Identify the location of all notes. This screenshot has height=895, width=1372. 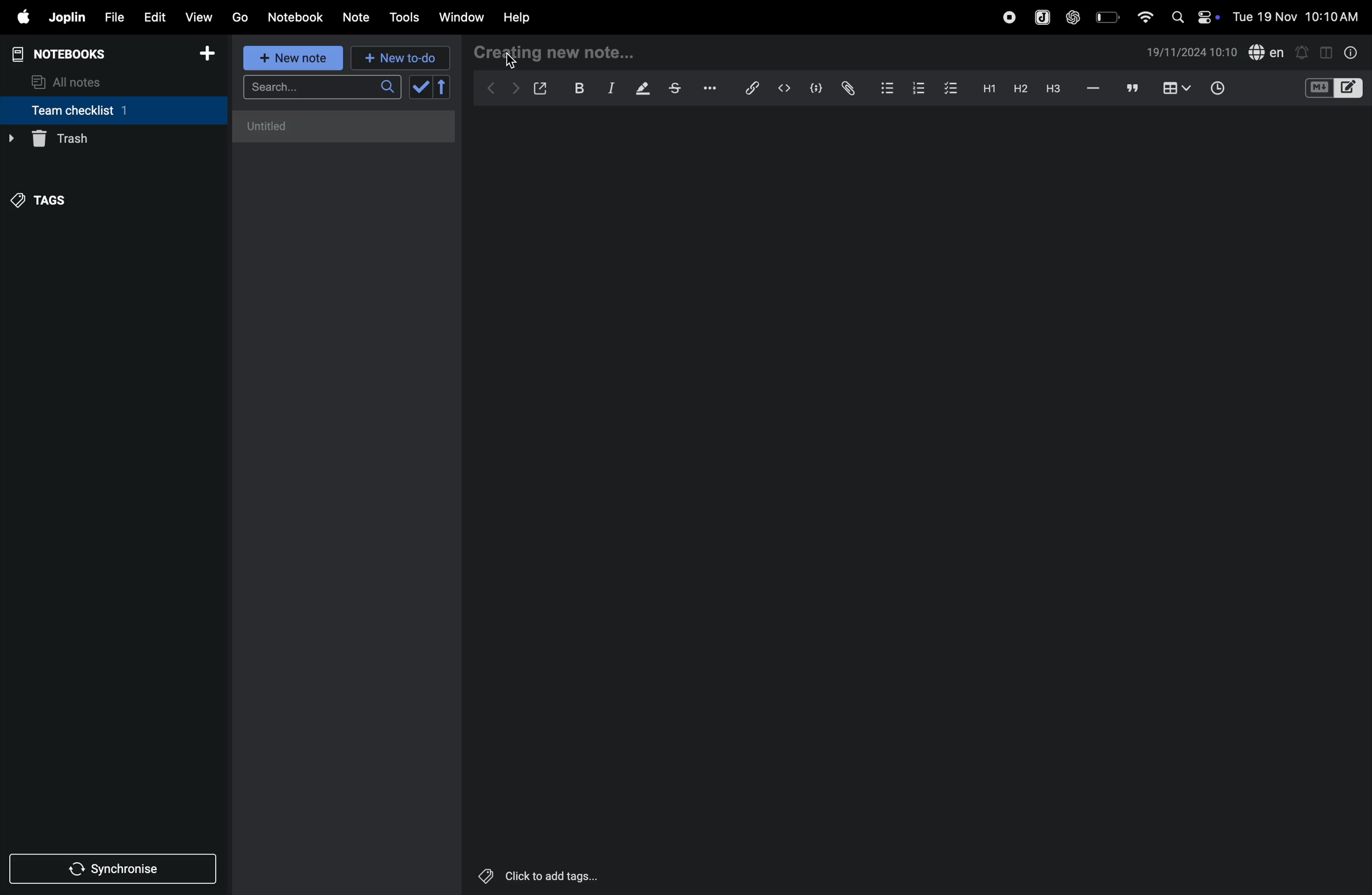
(76, 81).